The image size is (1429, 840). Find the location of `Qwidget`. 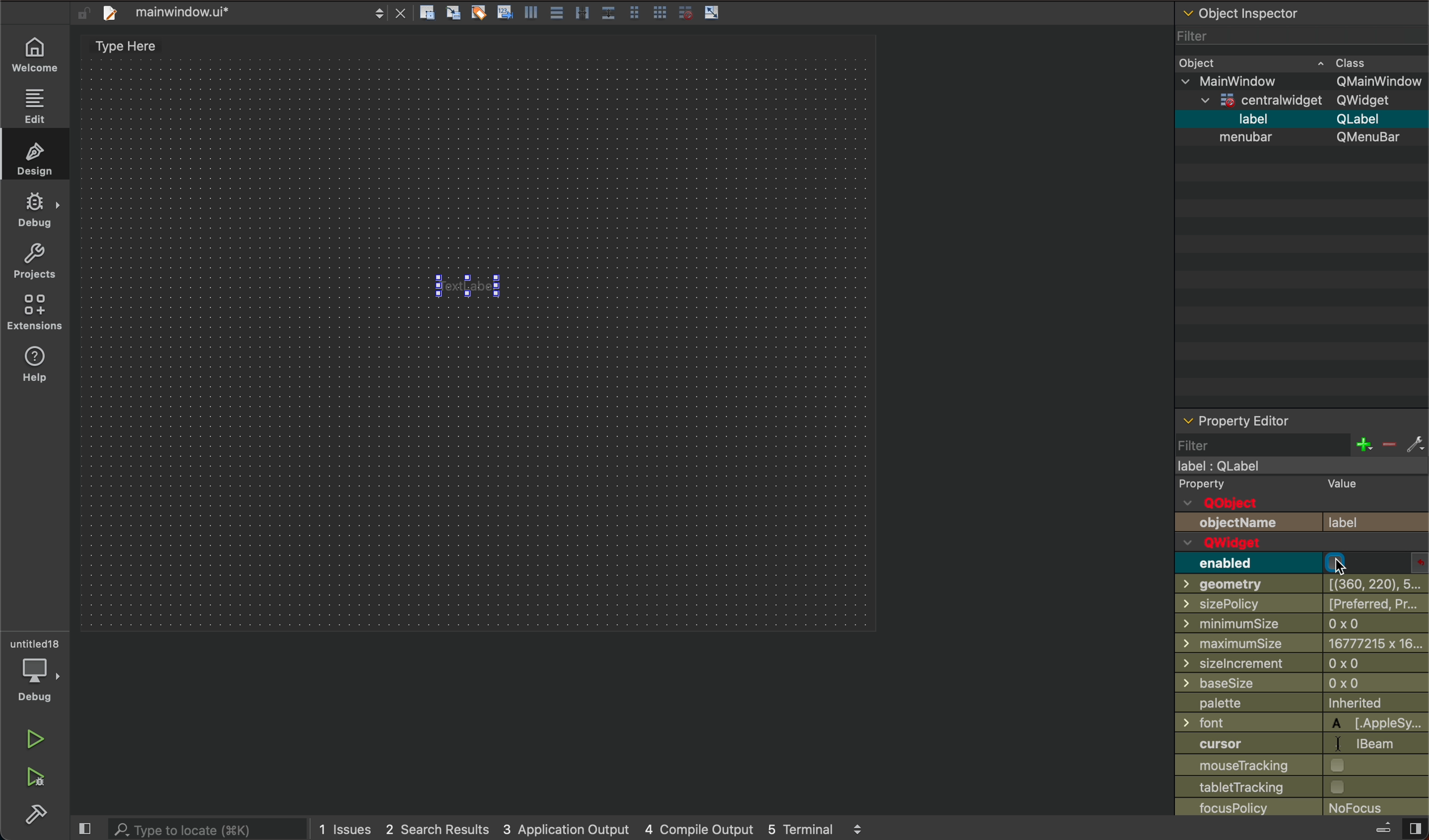

Qwidget is located at coordinates (1369, 100).